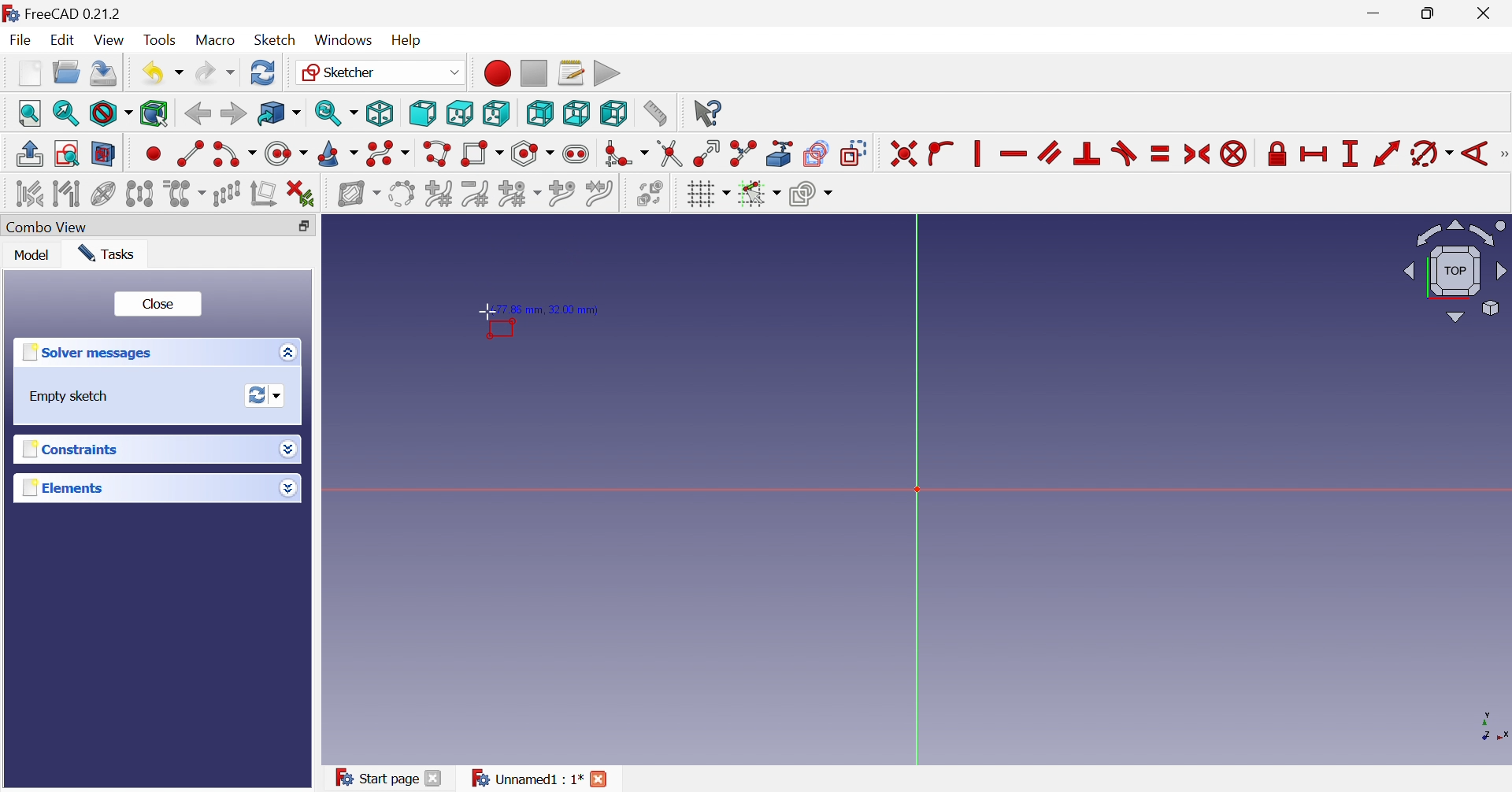 The width and height of the screenshot is (1512, 792). What do you see at coordinates (102, 195) in the screenshot?
I see `Show/hide internal geometry` at bounding box center [102, 195].